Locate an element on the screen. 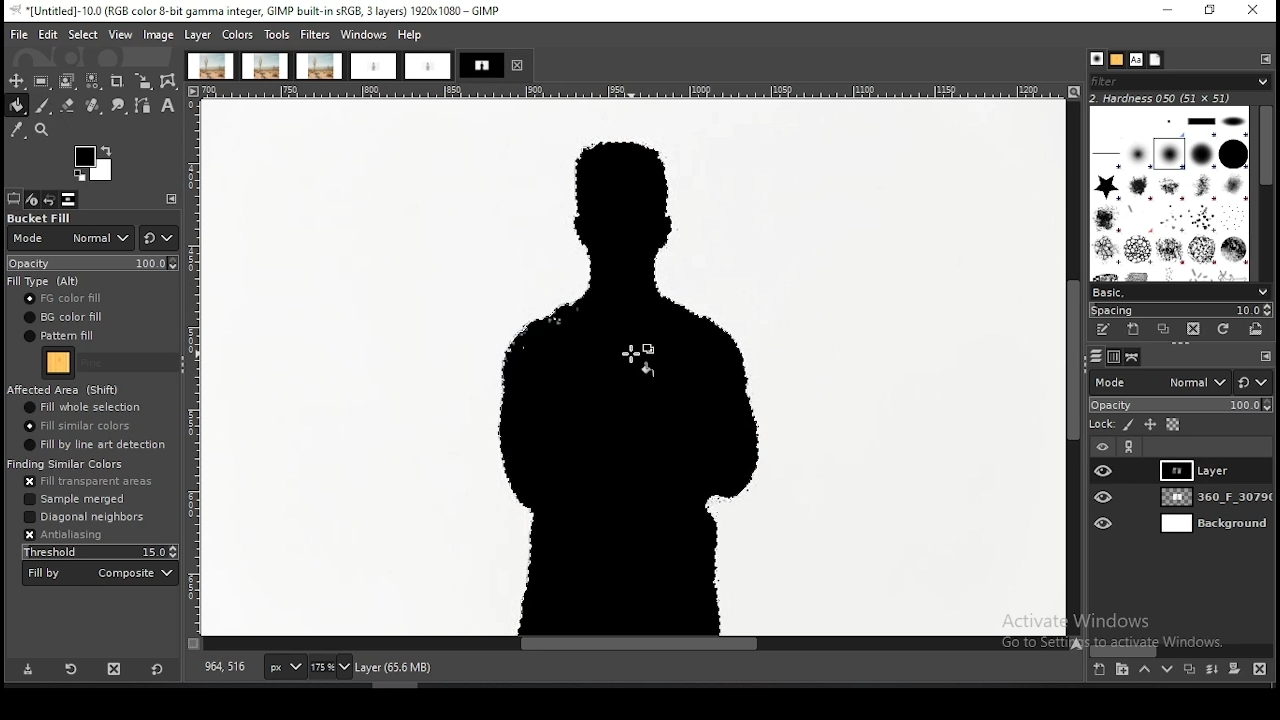  brush presets is located at coordinates (1179, 293).